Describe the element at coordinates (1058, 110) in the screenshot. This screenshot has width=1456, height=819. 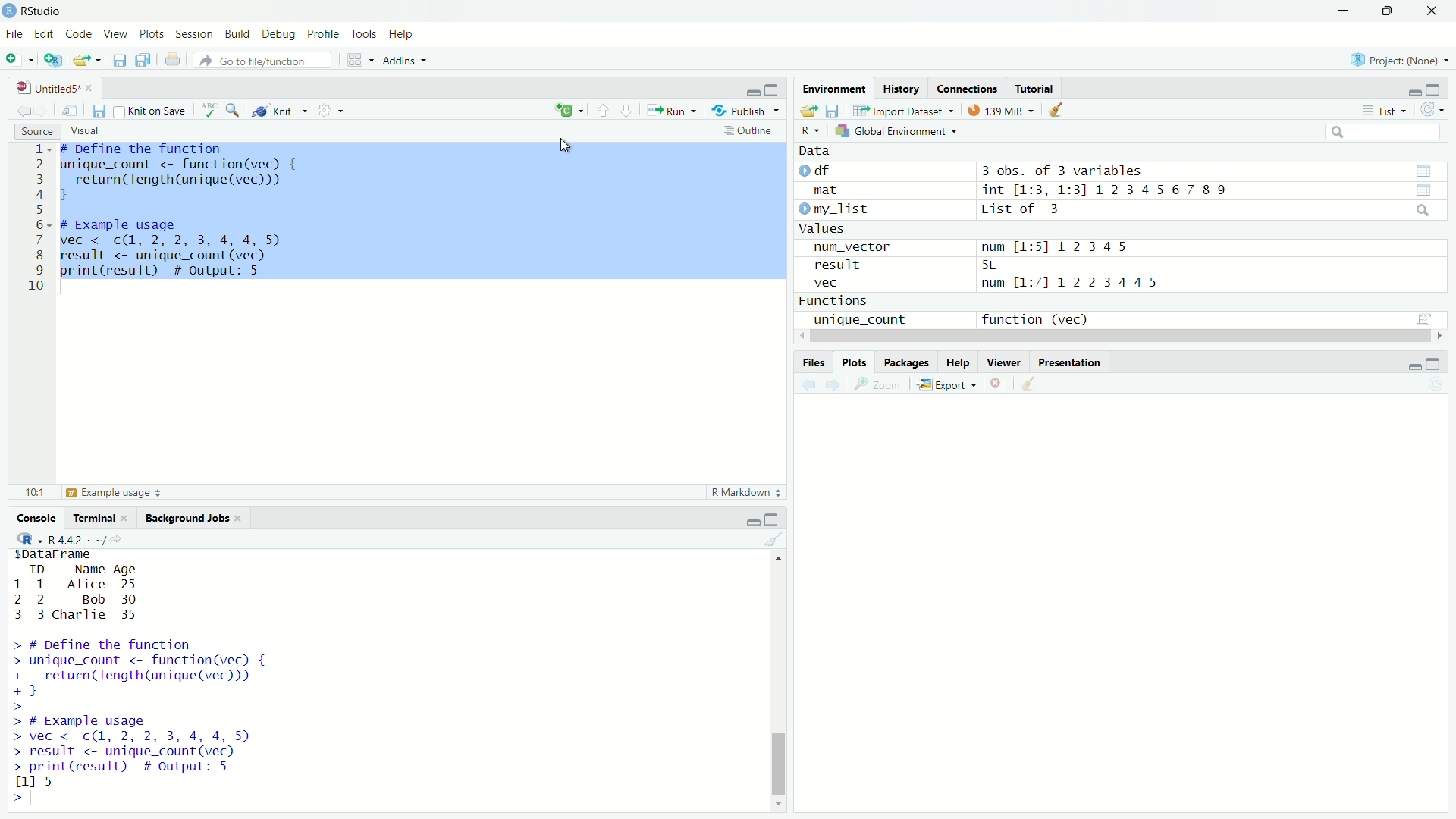
I see `clear data` at that location.